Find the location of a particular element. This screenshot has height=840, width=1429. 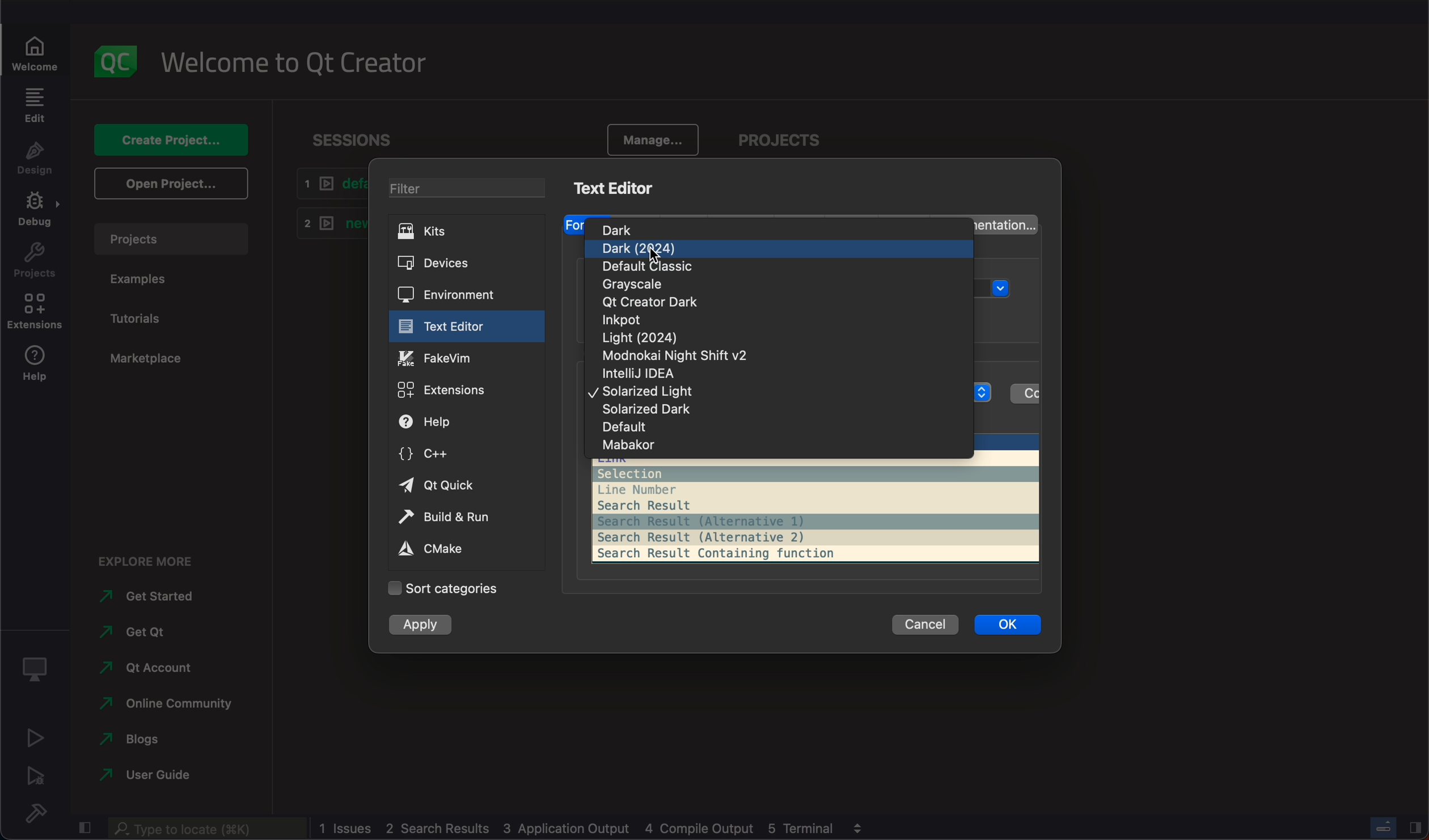

view output is located at coordinates (861, 826).